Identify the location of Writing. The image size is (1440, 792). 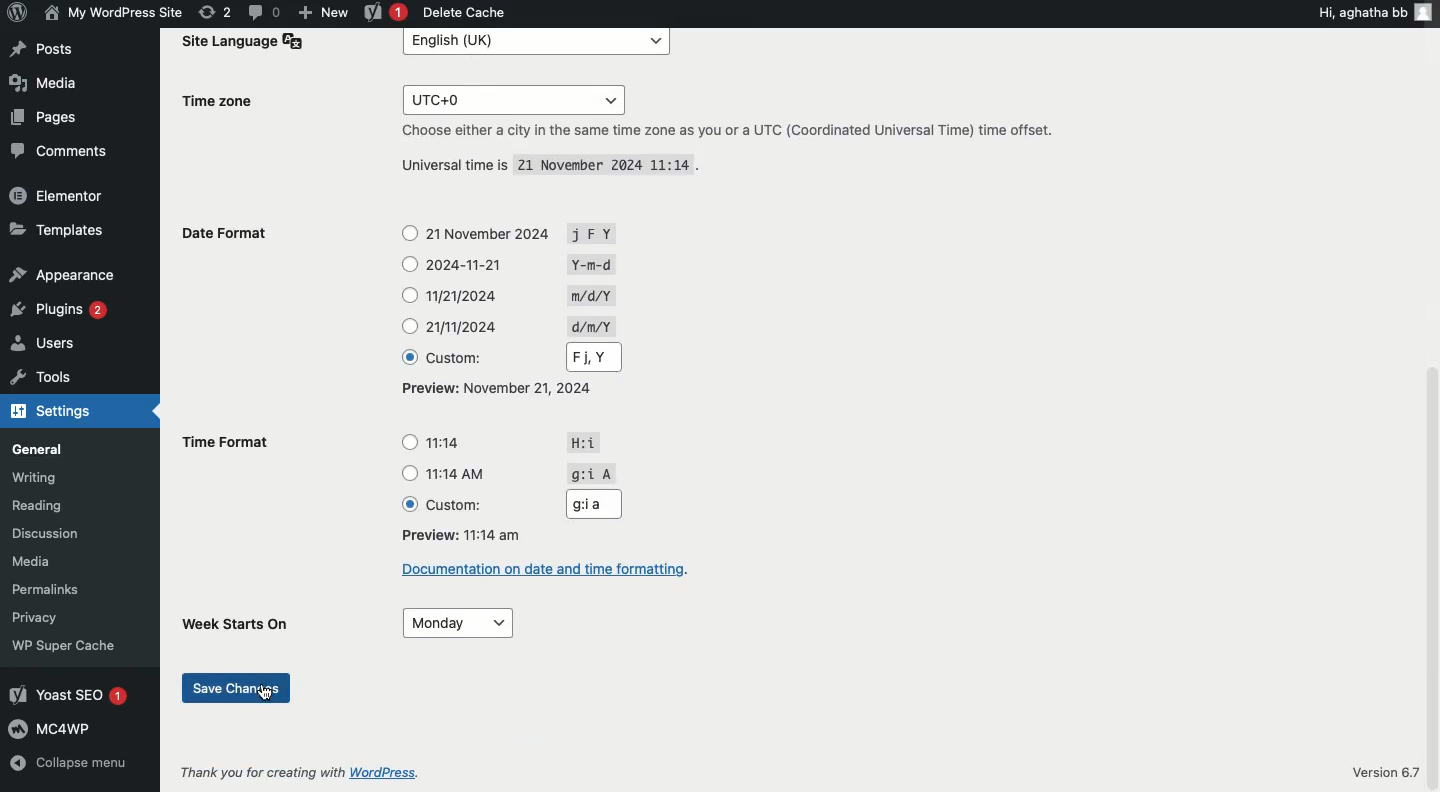
(31, 479).